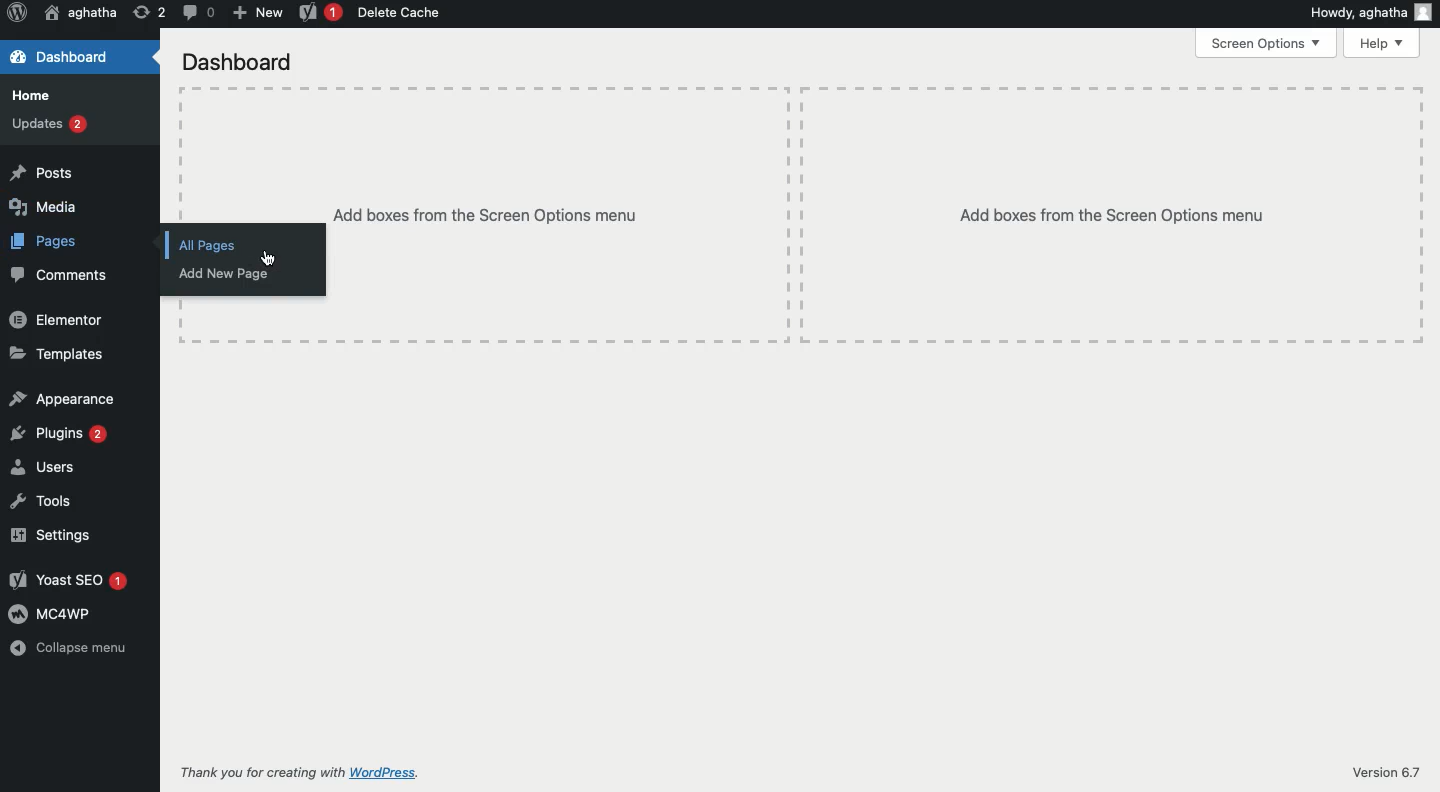 This screenshot has width=1440, height=792. I want to click on Pages, so click(48, 240).